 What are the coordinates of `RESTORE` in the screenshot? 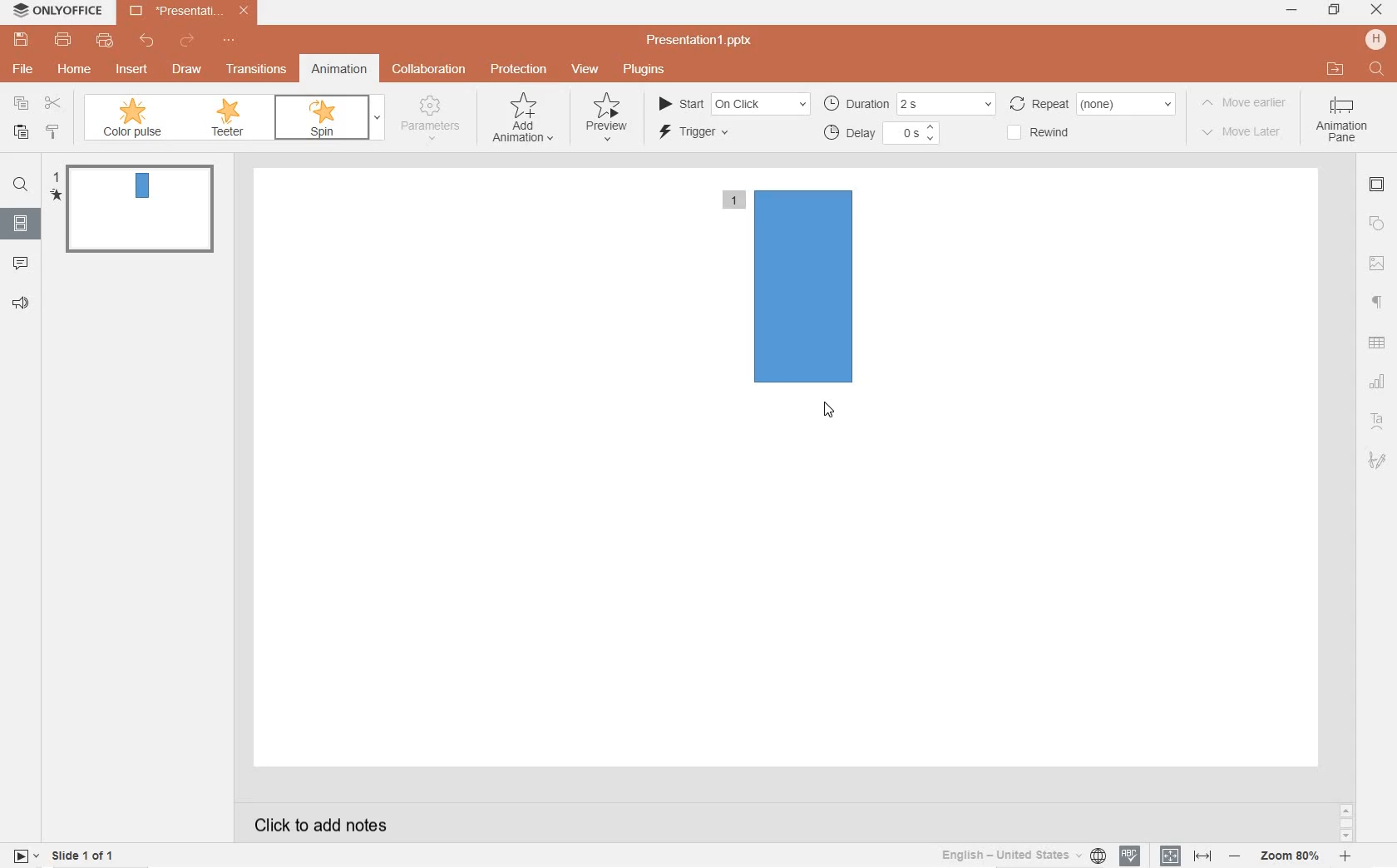 It's located at (1330, 10).